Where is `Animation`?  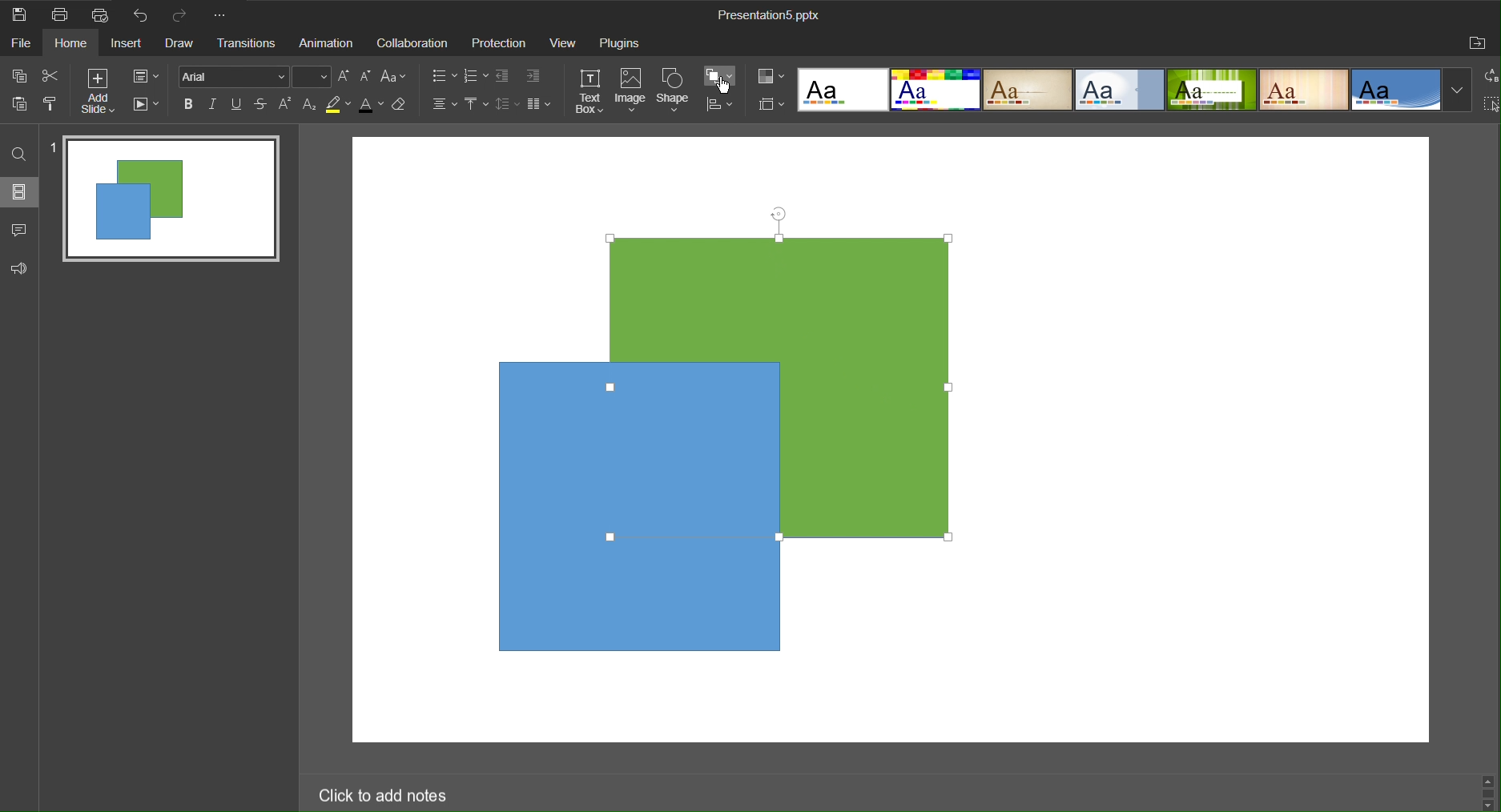 Animation is located at coordinates (328, 43).